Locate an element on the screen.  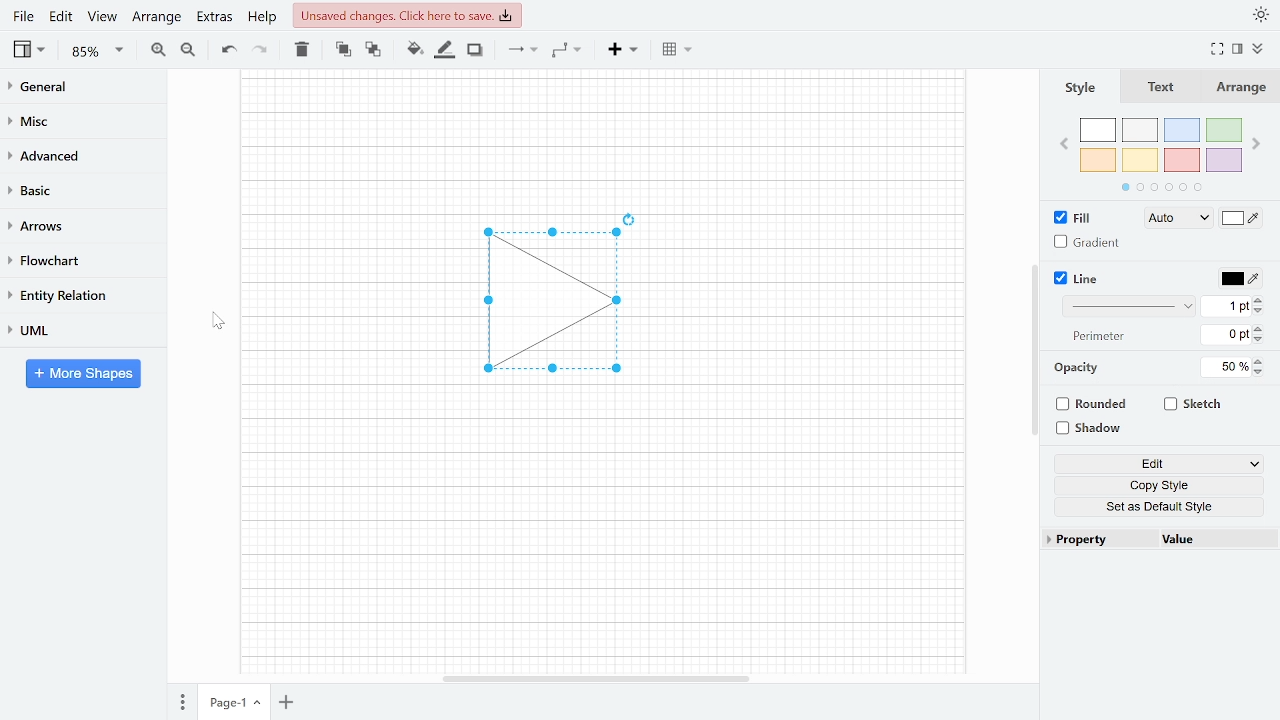
Table is located at coordinates (679, 48).